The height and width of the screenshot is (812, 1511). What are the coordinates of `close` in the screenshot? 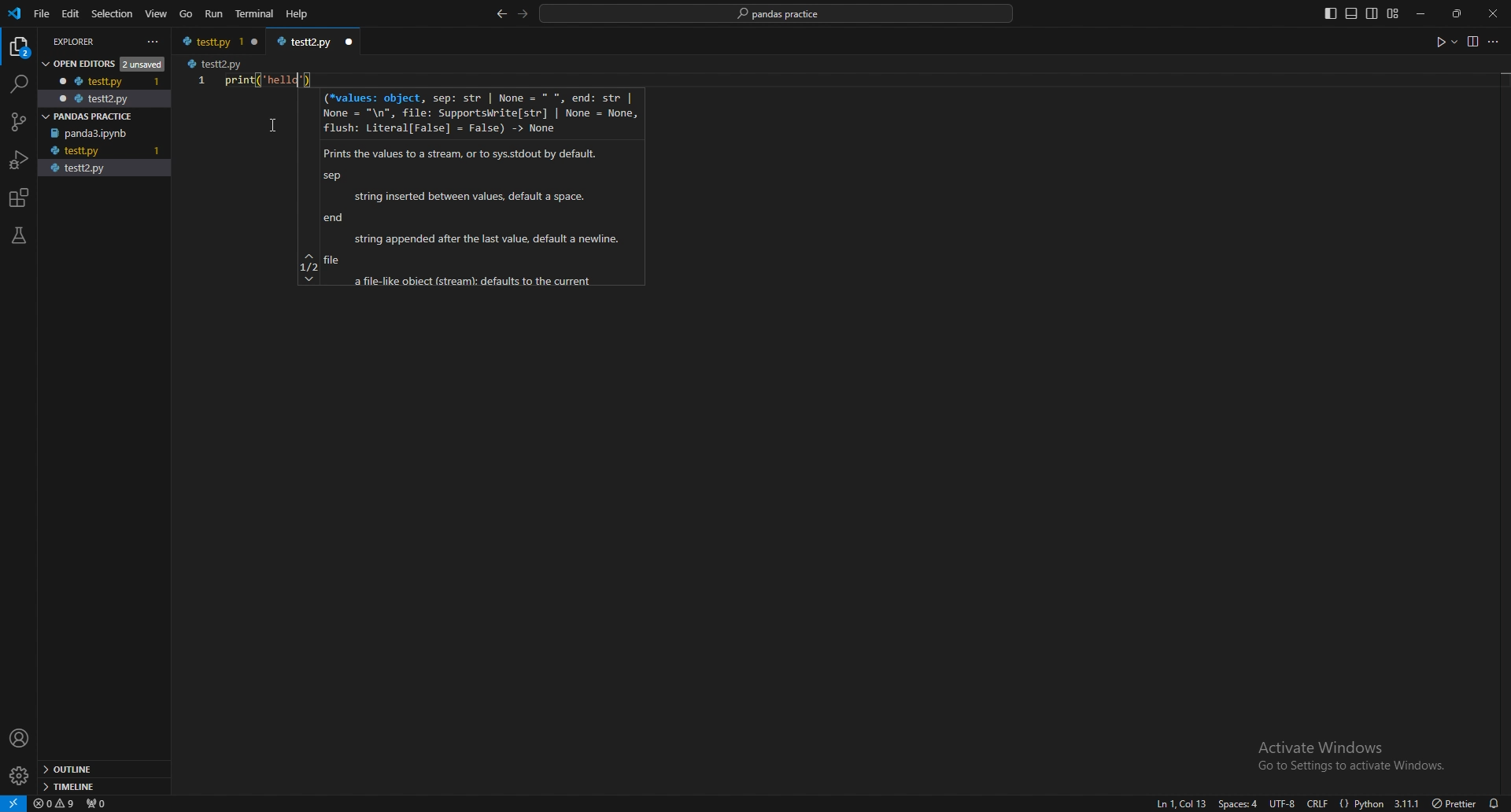 It's located at (1493, 13).